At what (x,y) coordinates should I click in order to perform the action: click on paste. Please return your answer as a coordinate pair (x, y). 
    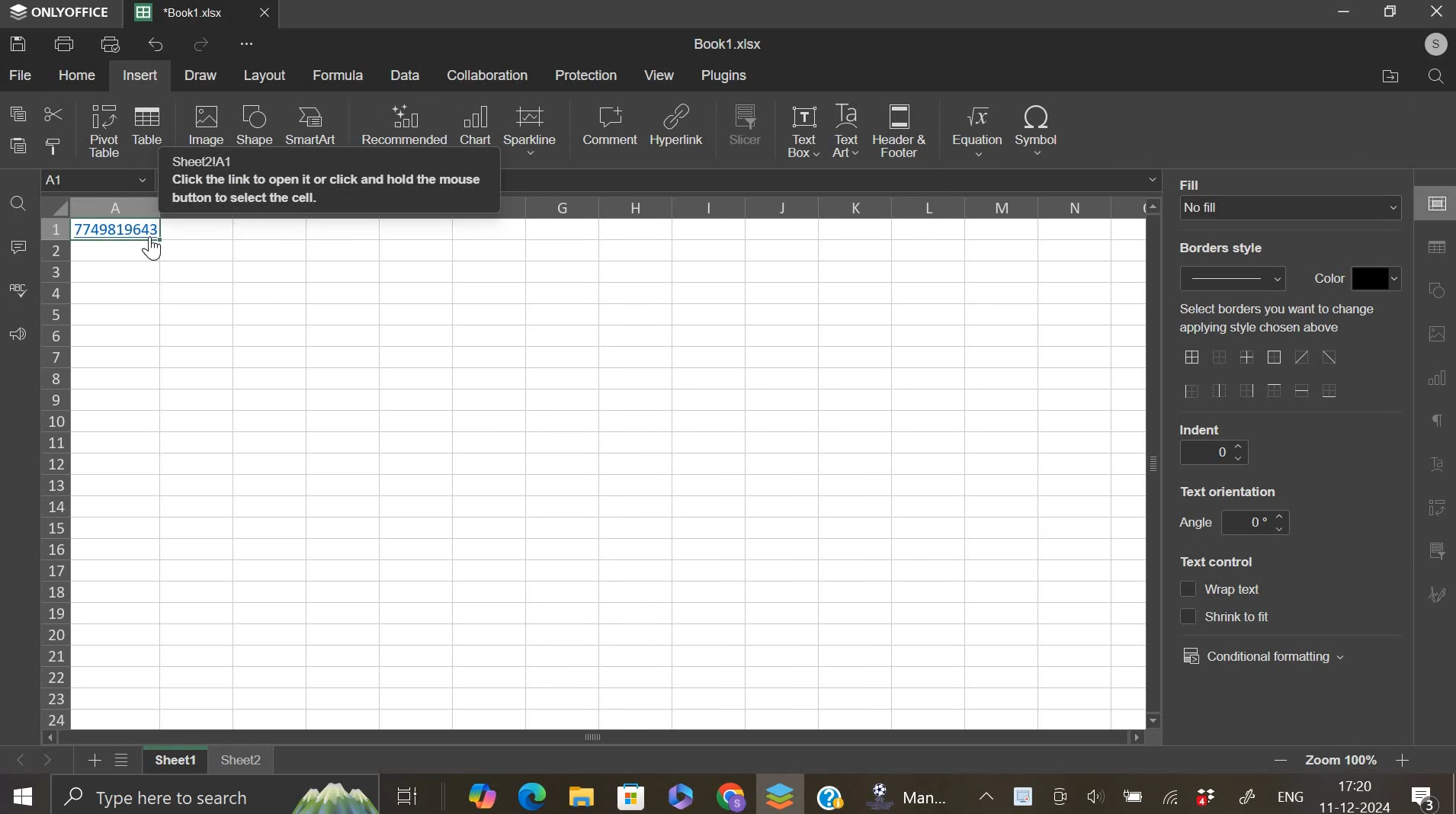
    Looking at the image, I should click on (20, 146).